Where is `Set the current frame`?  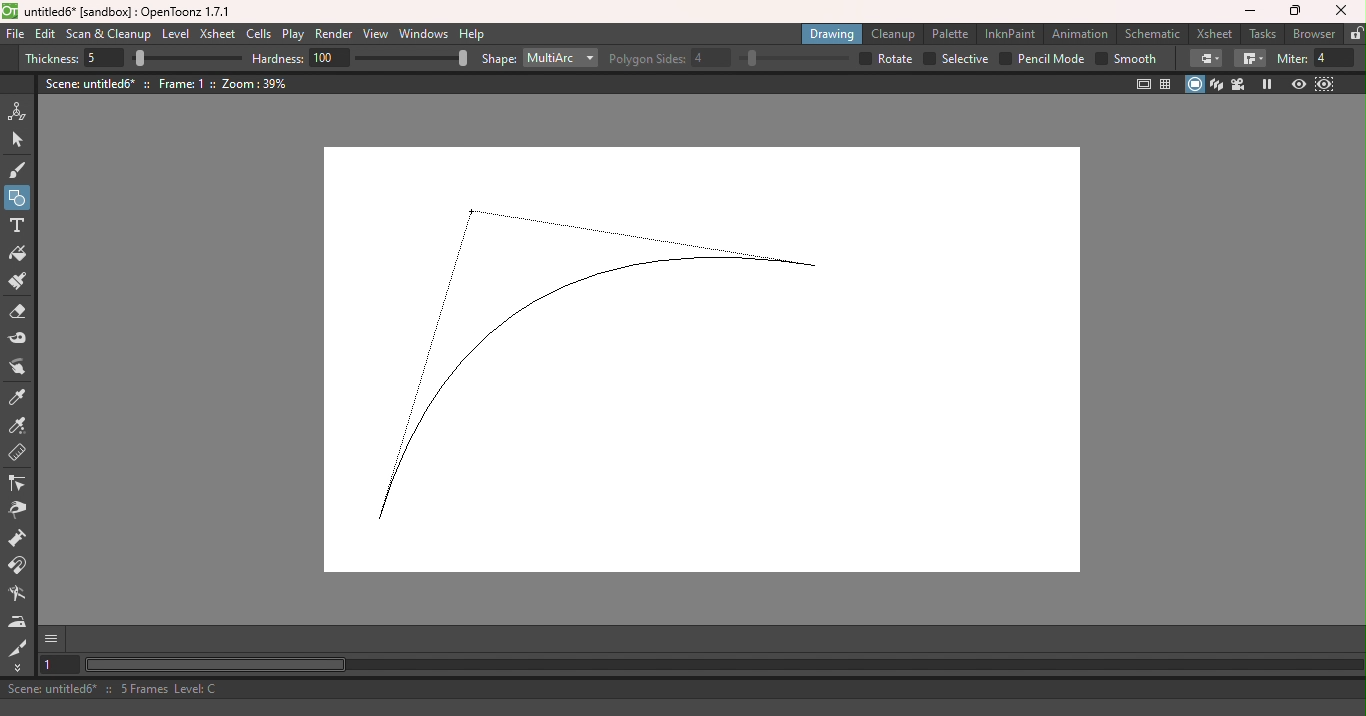
Set the current frame is located at coordinates (59, 666).